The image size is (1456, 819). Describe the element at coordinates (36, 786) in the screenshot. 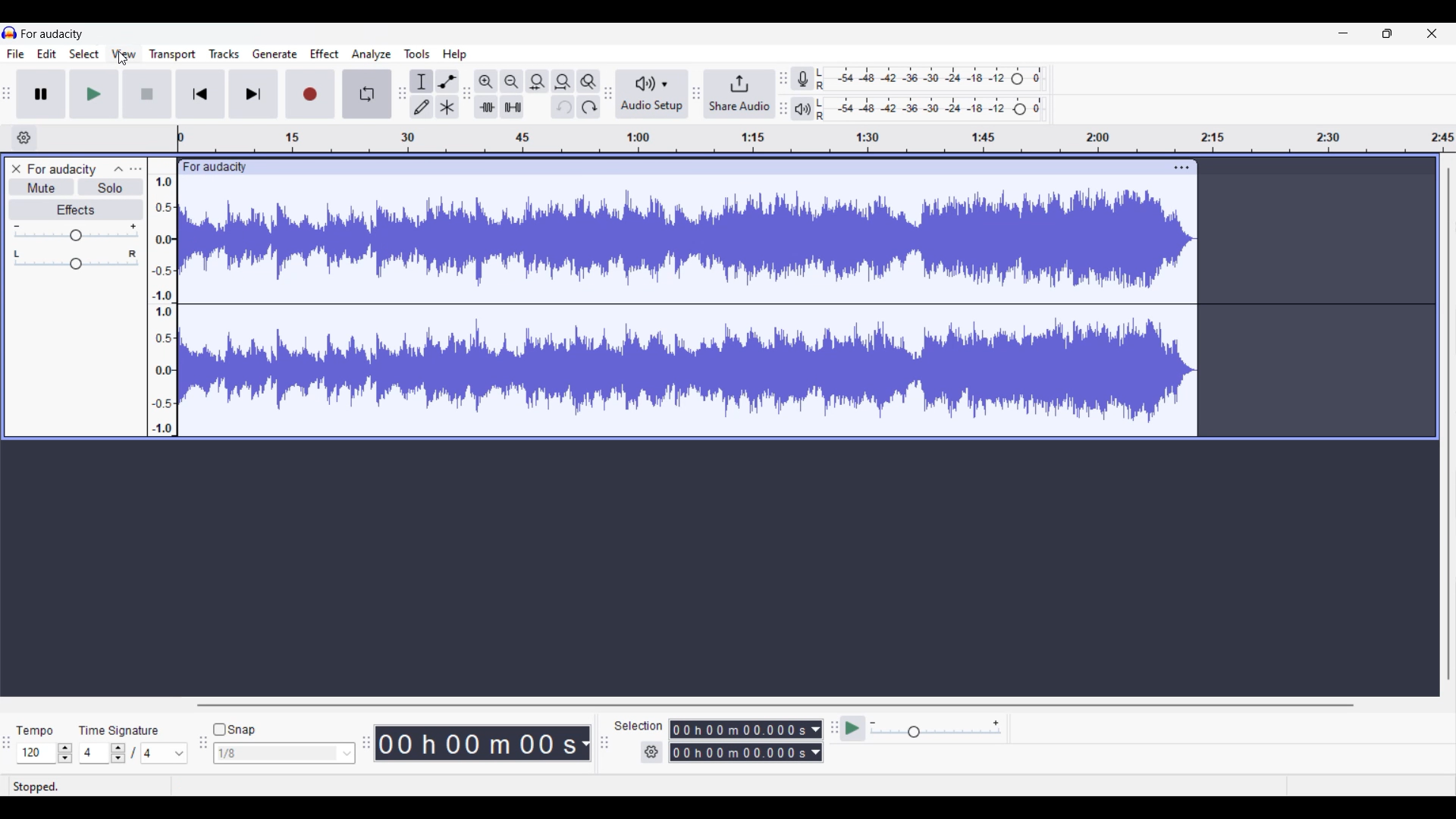

I see `Current status of track` at that location.